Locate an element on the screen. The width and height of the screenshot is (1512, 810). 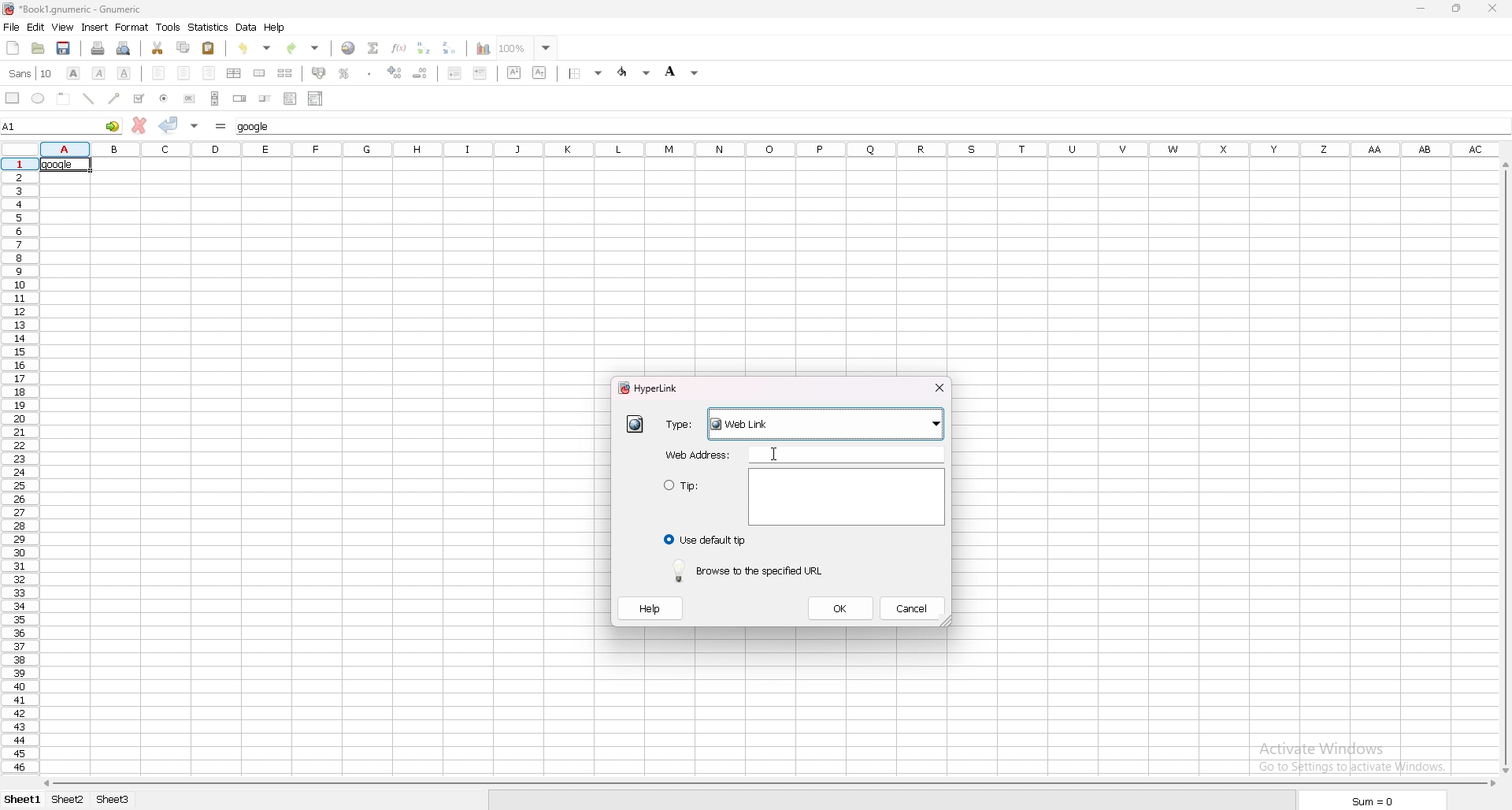
cursor is located at coordinates (1498, 443).